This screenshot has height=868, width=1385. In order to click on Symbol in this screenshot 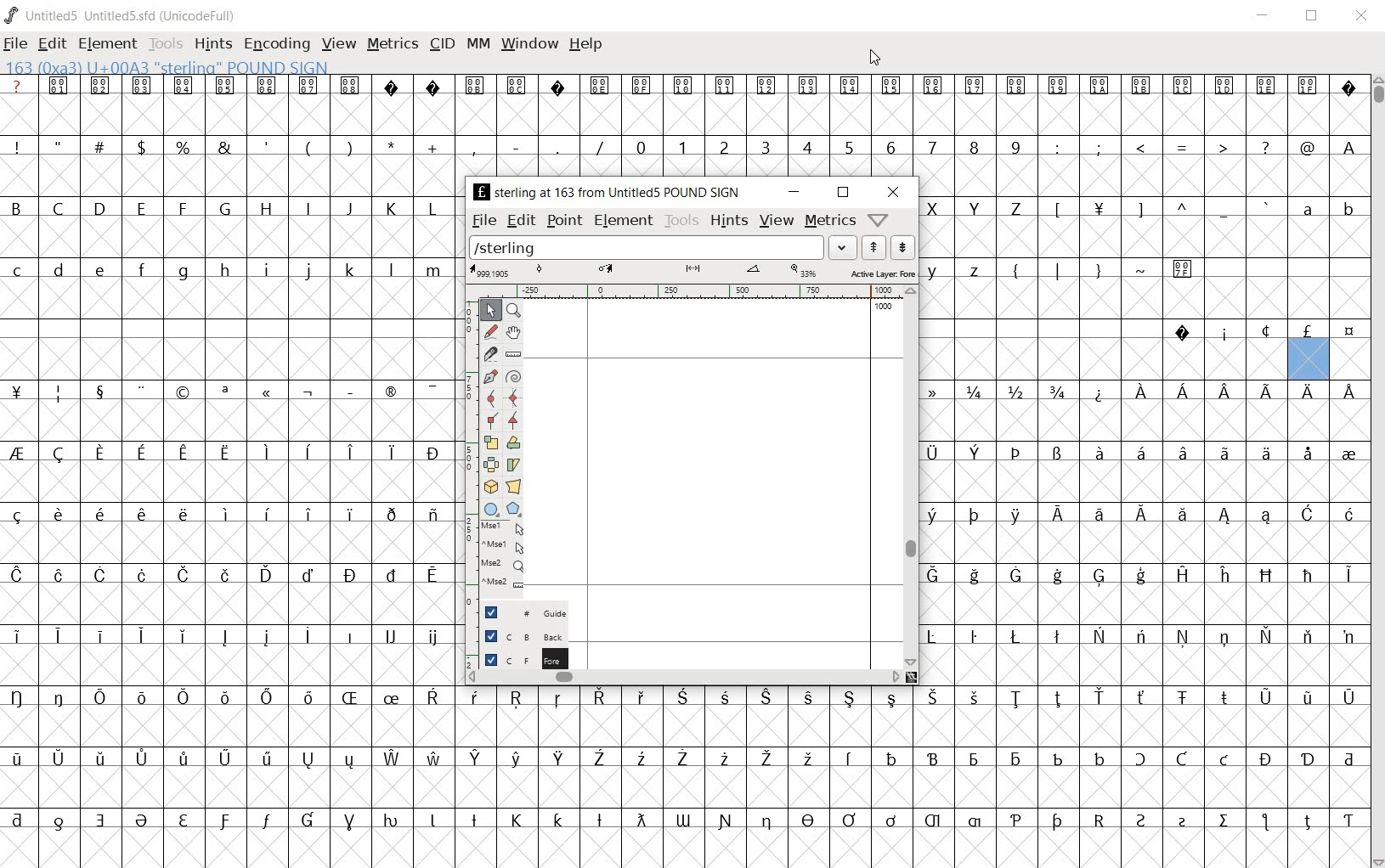, I will do `click(893, 87)`.